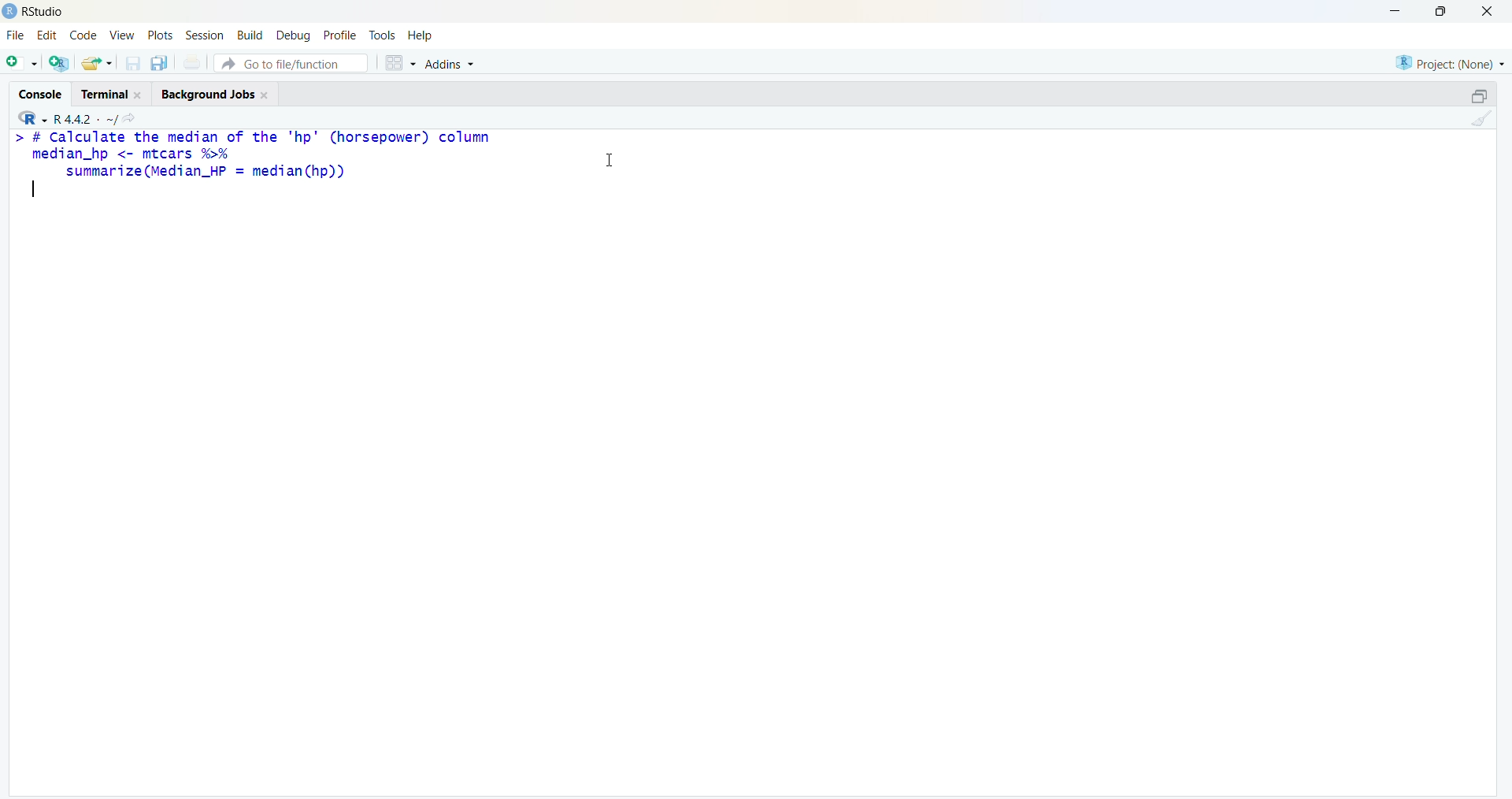 This screenshot has width=1512, height=799. What do you see at coordinates (46, 12) in the screenshot?
I see `RStudio` at bounding box center [46, 12].